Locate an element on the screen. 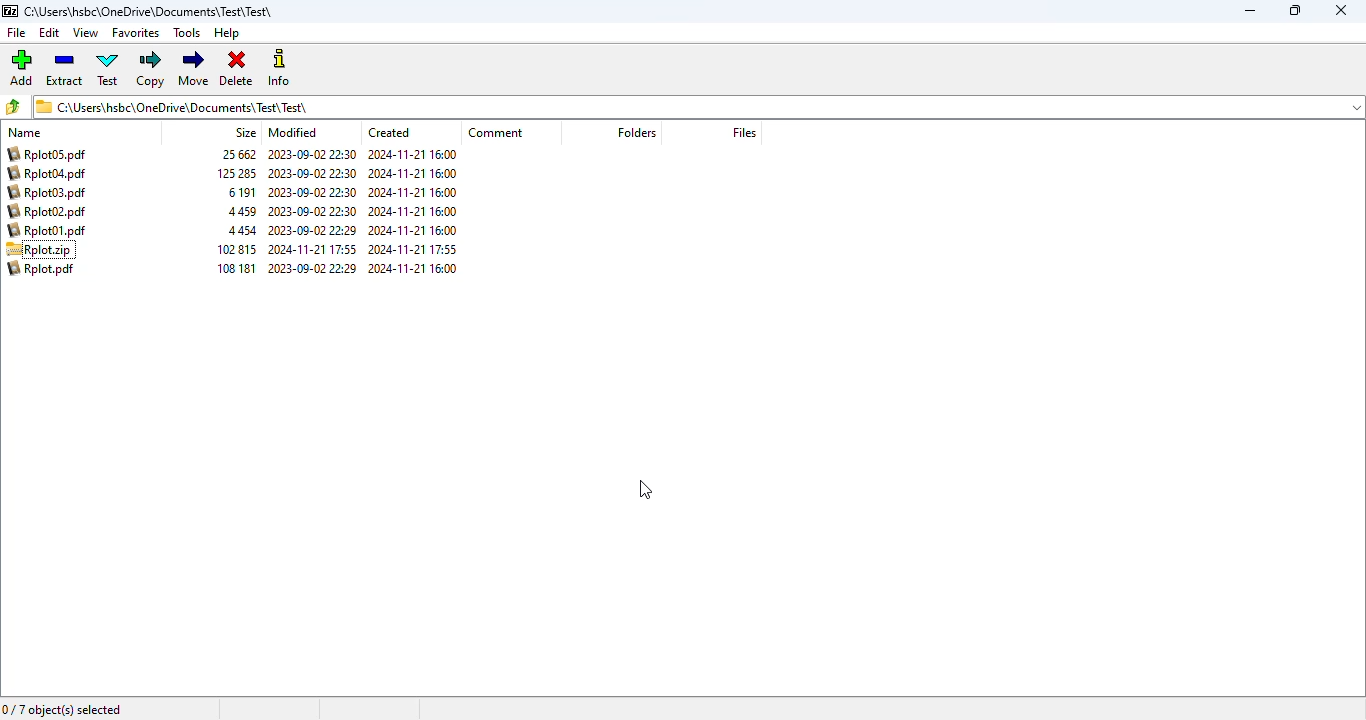 This screenshot has width=1366, height=720. 4 459 is located at coordinates (241, 212).